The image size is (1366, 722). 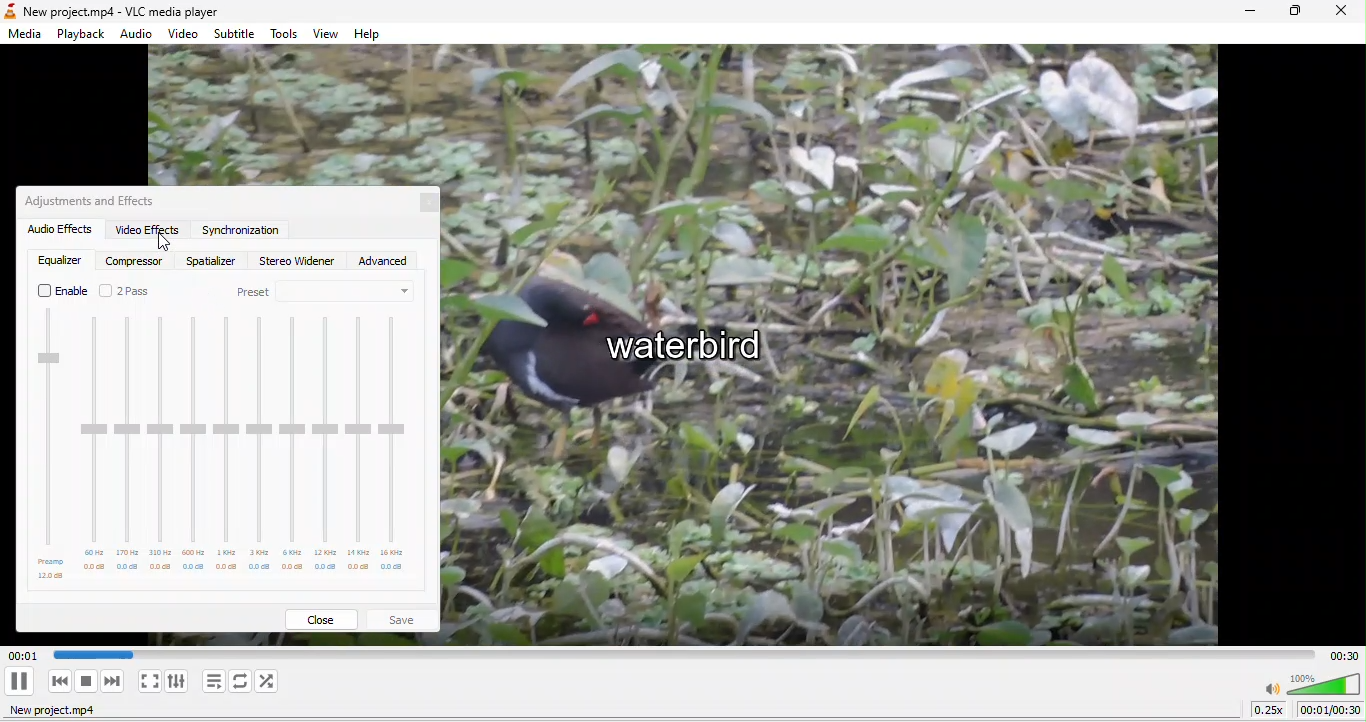 I want to click on tools, so click(x=287, y=34).